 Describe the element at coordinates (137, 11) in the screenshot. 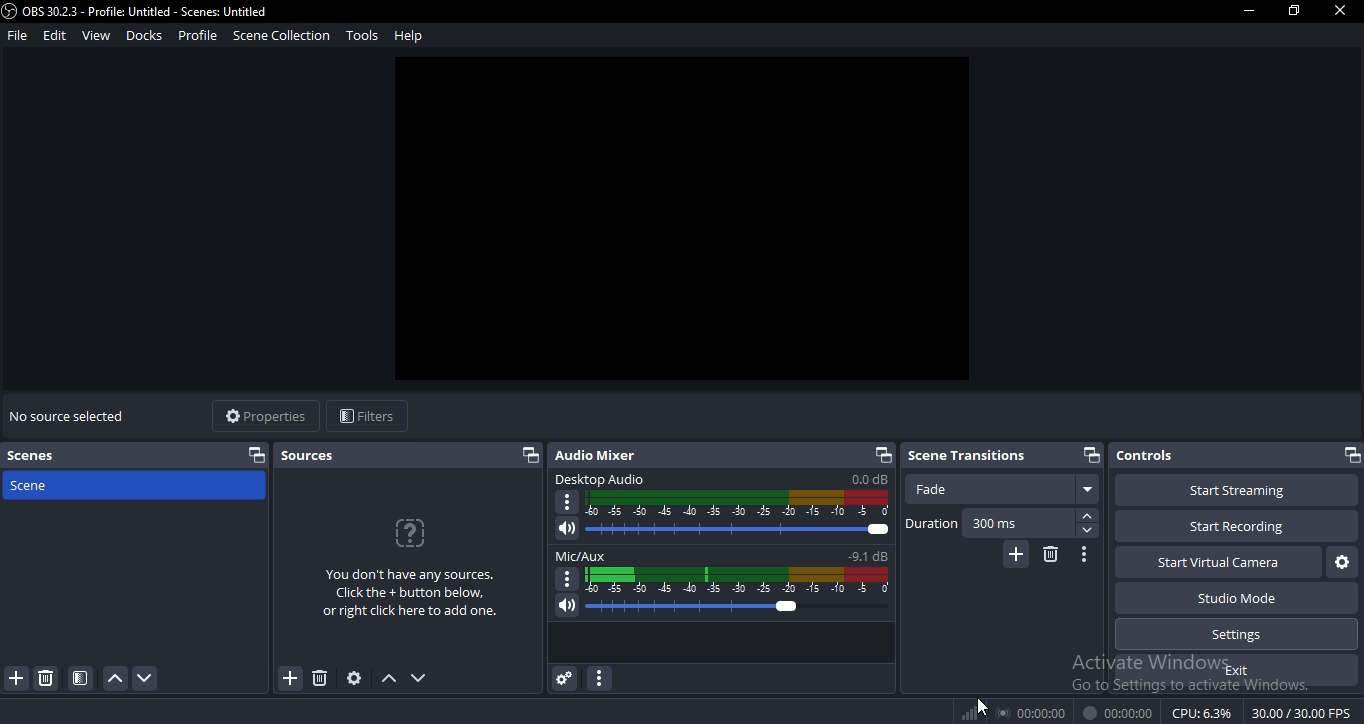

I see `‘OBS 30.2.3 - Profile: Untitled - Scenes: Untitled` at that location.